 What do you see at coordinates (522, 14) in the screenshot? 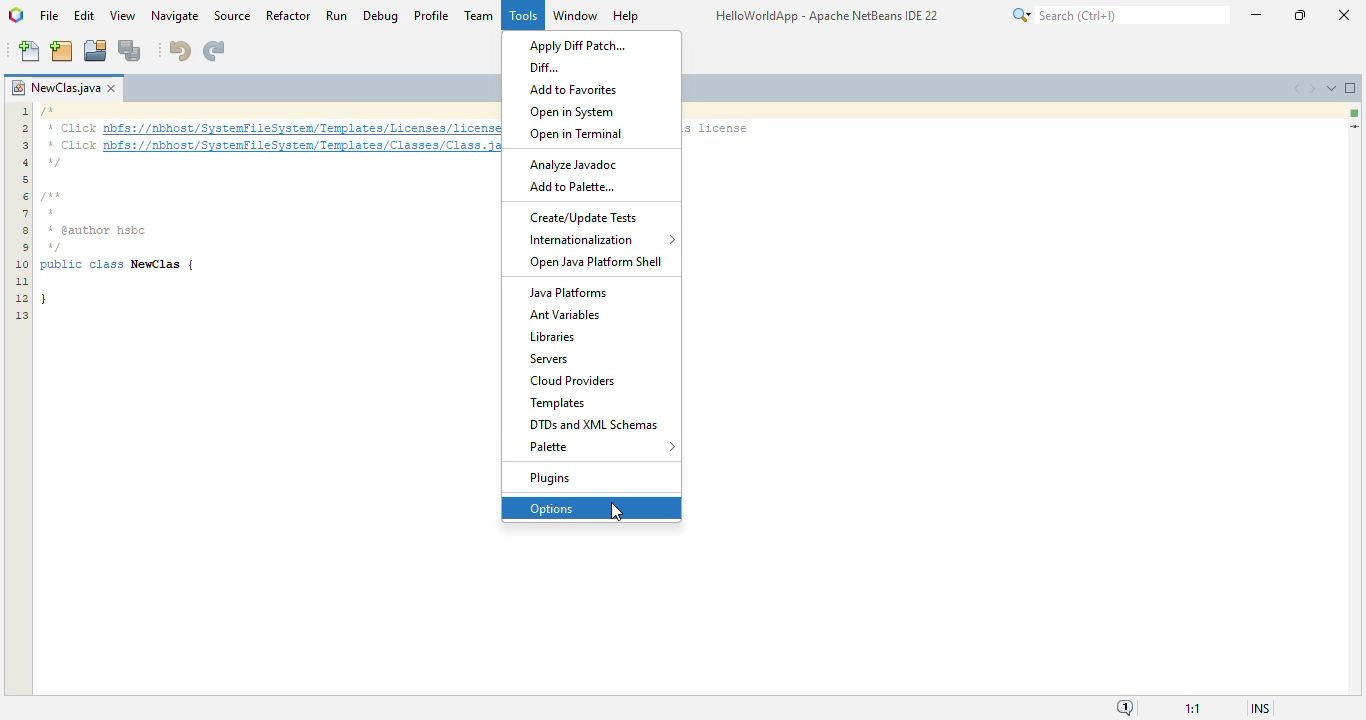
I see `tools` at bounding box center [522, 14].